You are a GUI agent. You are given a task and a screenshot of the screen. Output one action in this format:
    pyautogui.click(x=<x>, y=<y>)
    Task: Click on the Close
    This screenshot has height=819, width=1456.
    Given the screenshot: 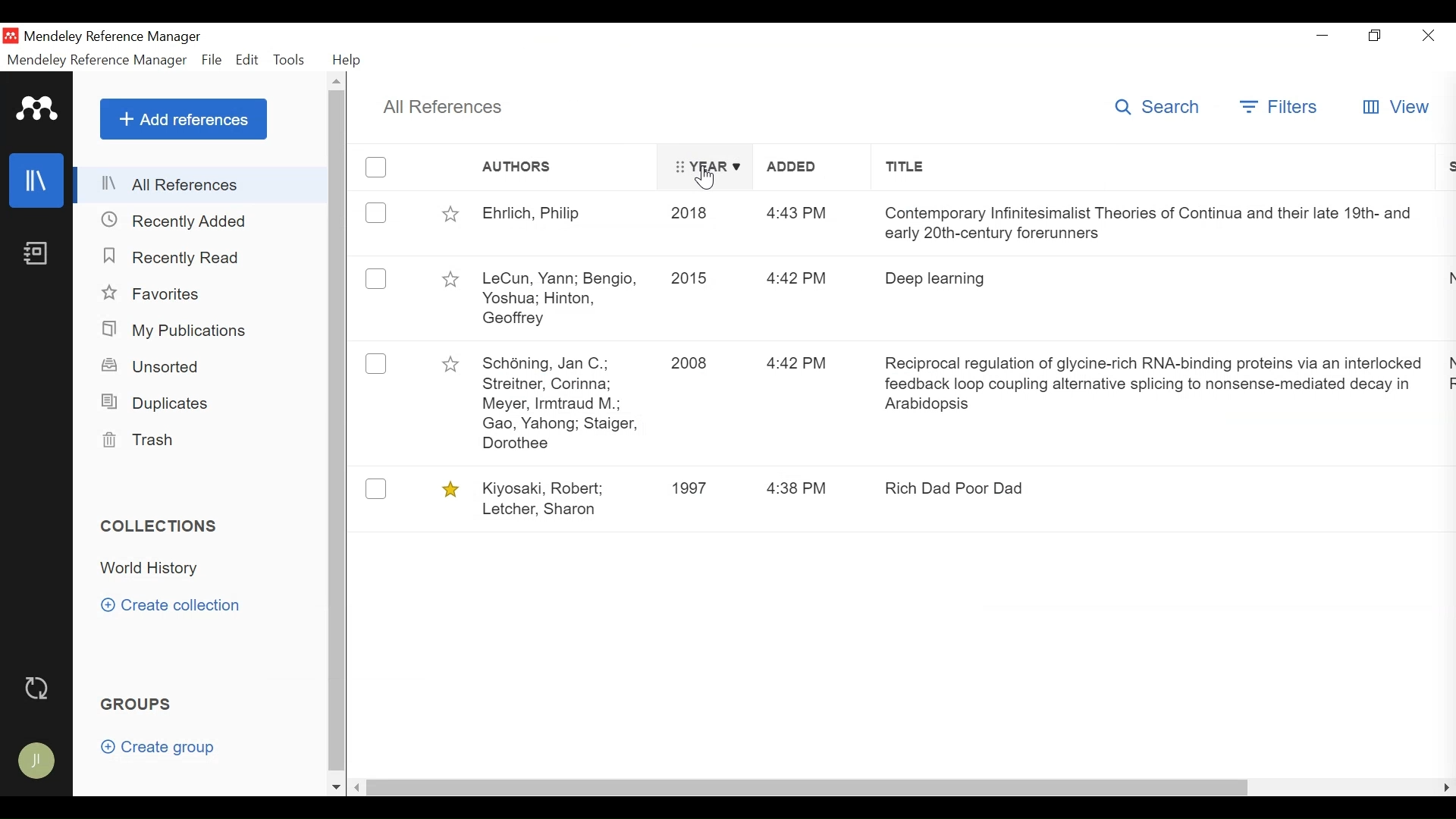 What is the action you would take?
    pyautogui.click(x=1431, y=35)
    